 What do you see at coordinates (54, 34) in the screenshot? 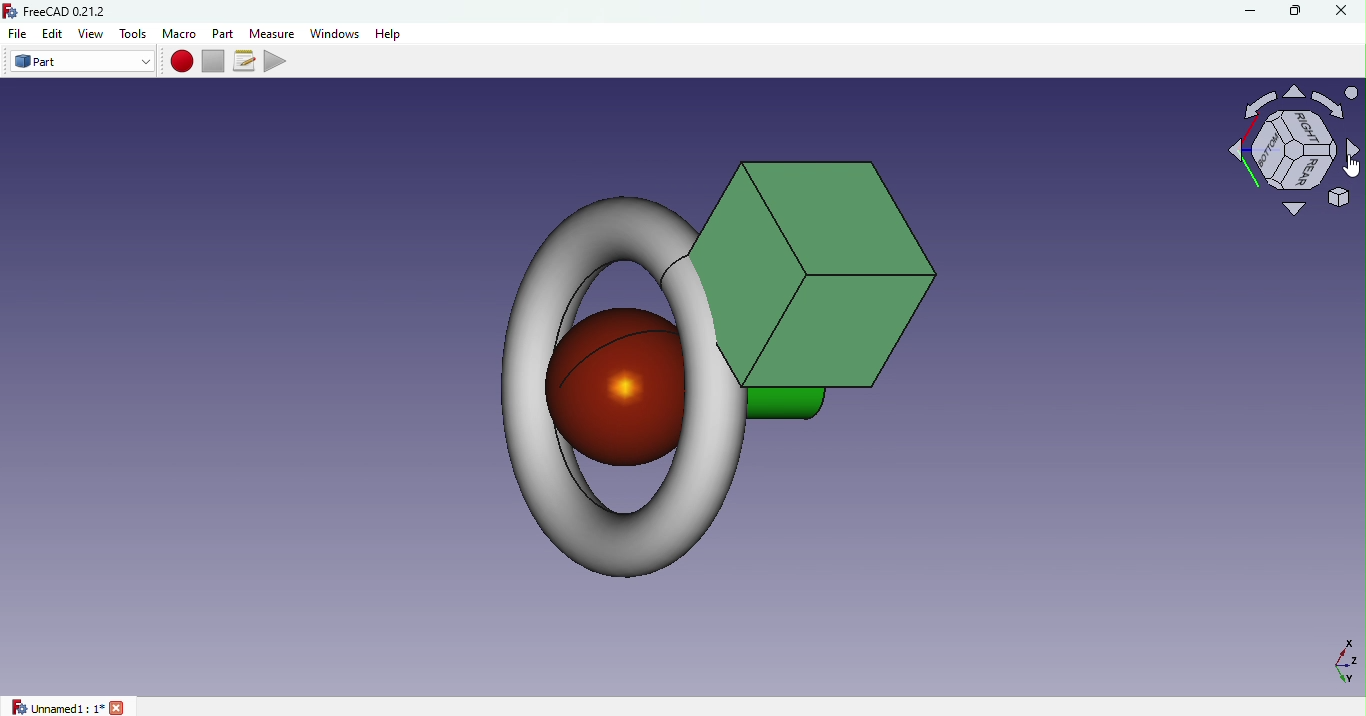
I see `Edit` at bounding box center [54, 34].